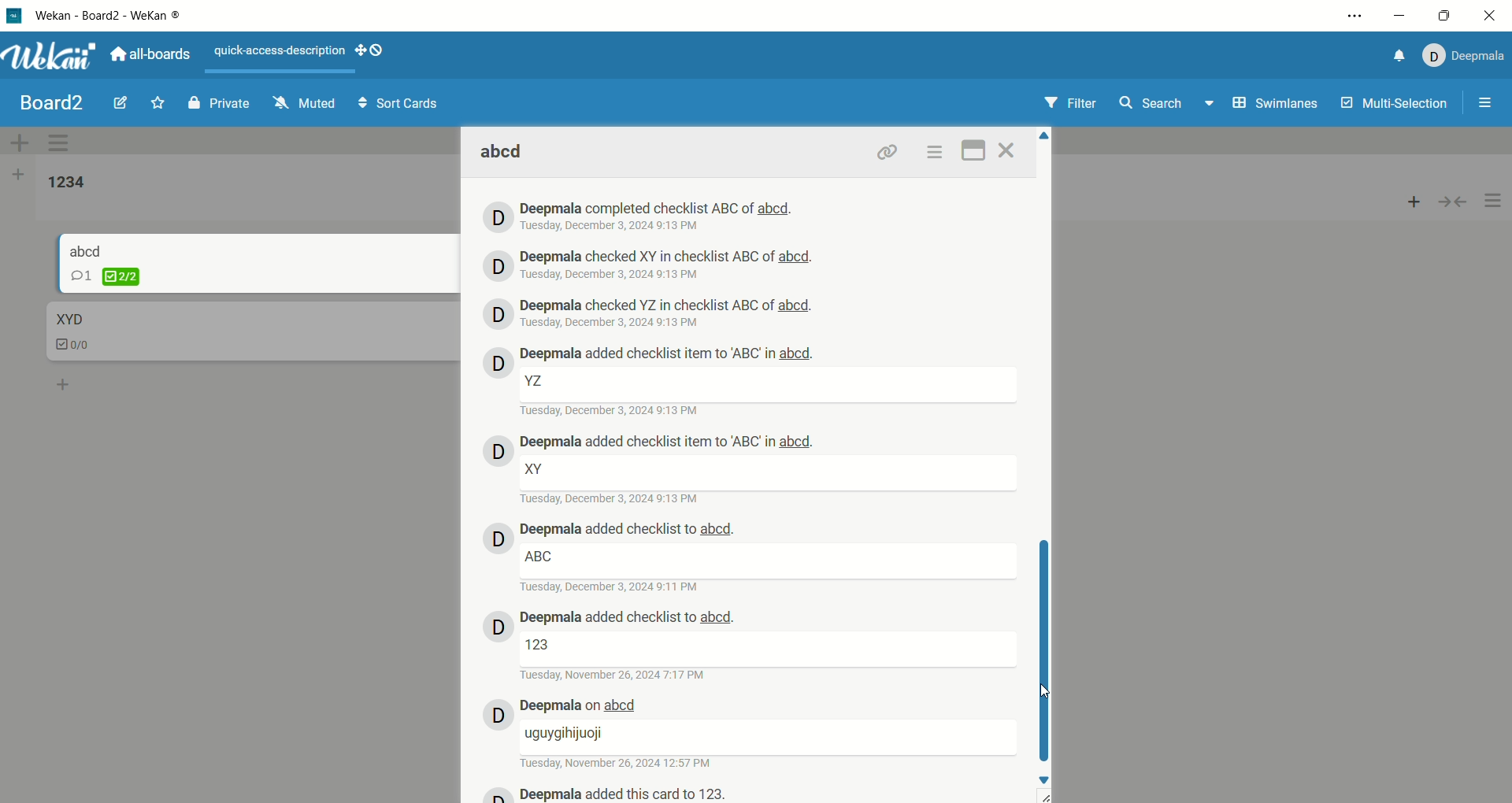 The height and width of the screenshot is (803, 1512). I want to click on add, so click(1414, 198).